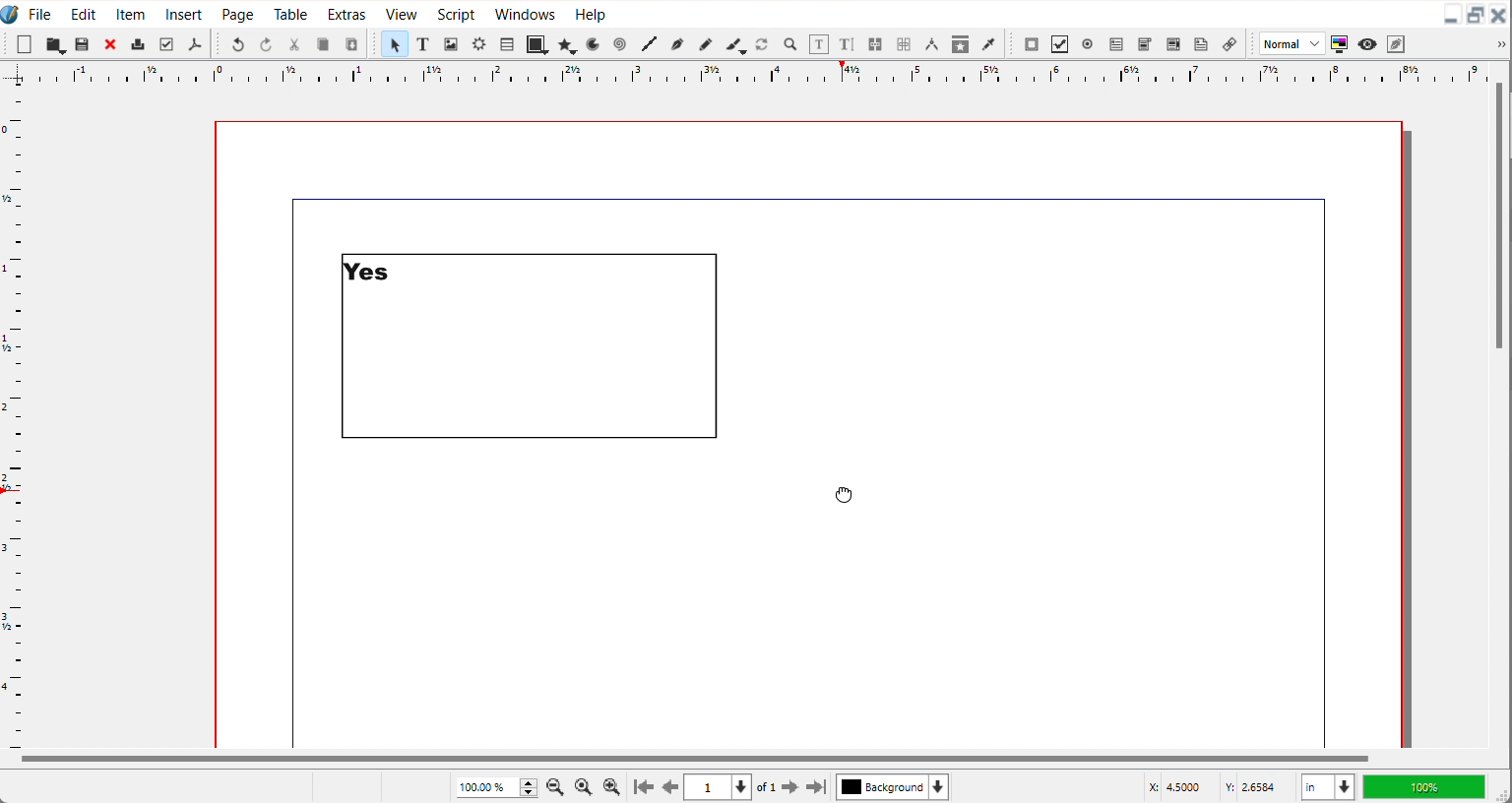  Describe the element at coordinates (1397, 43) in the screenshot. I see `Edit in preview mode` at that location.